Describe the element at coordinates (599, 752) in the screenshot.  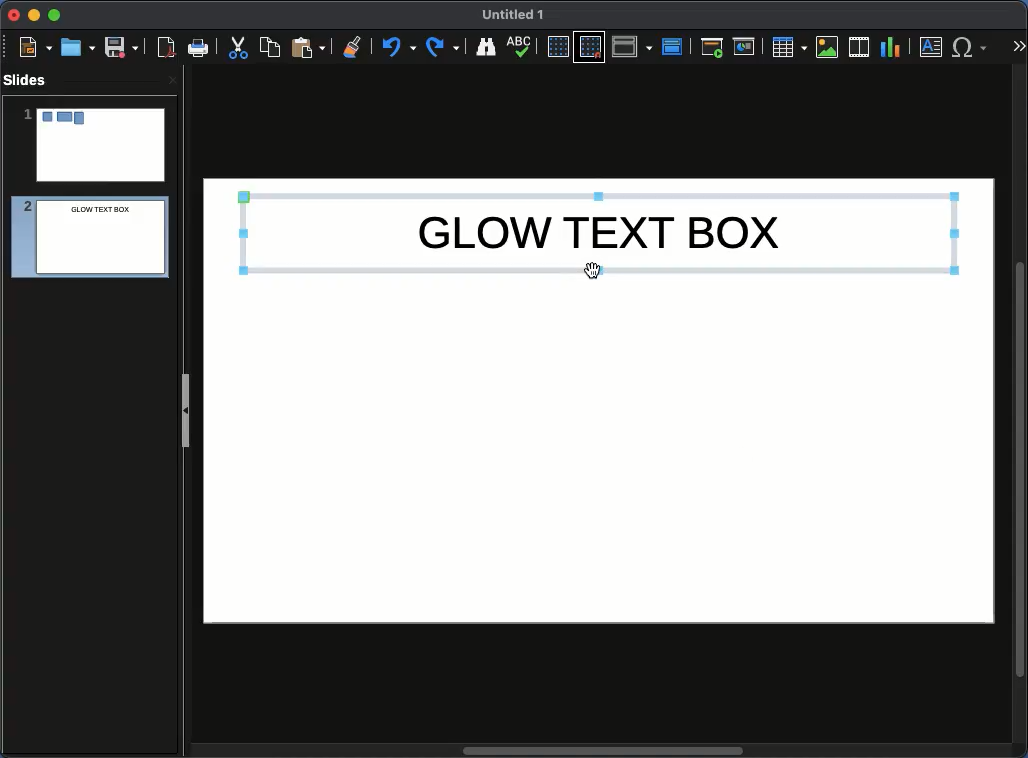
I see `Scroll` at that location.